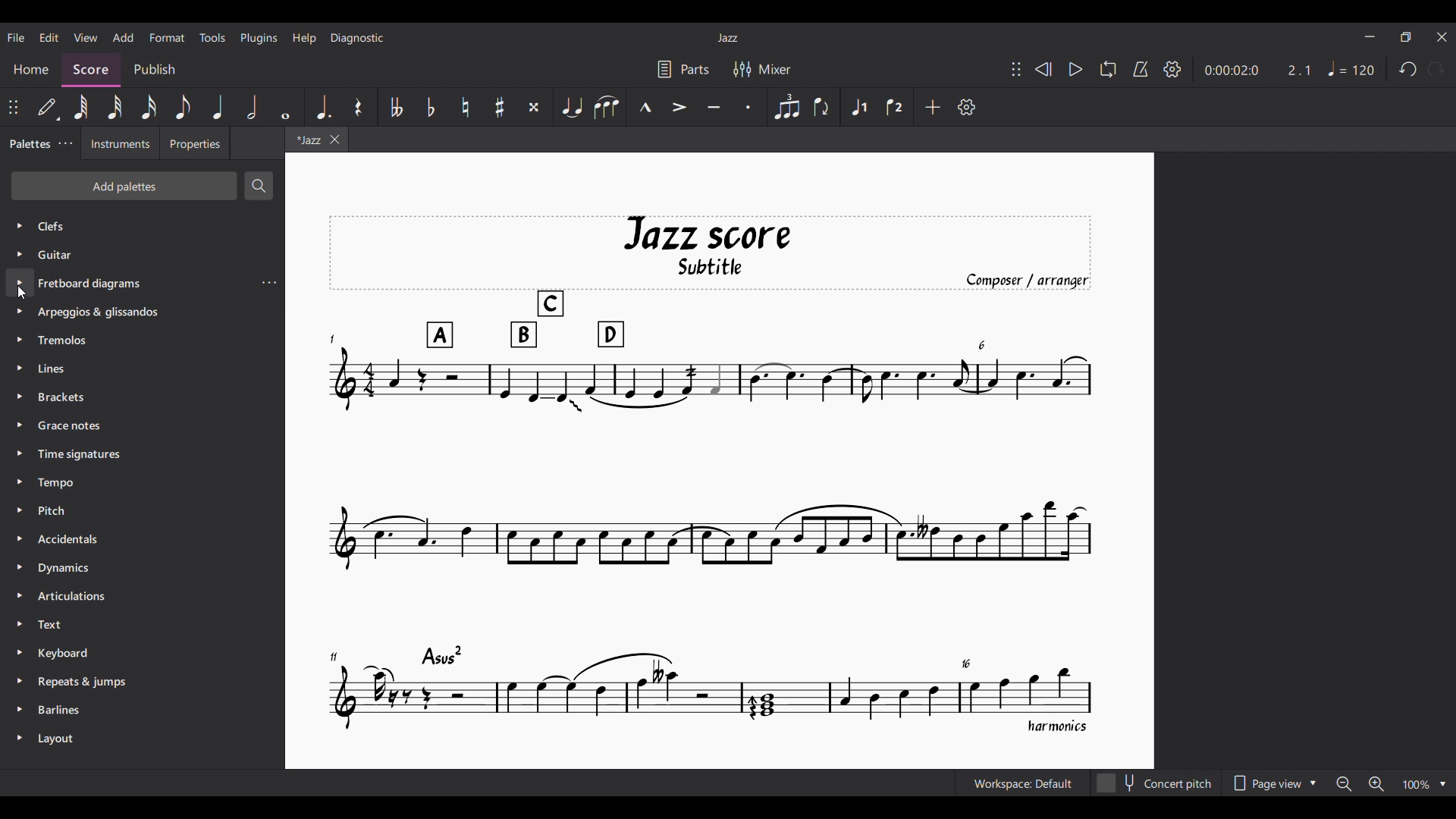 The height and width of the screenshot is (819, 1456). Describe the element at coordinates (15, 37) in the screenshot. I see `File menu` at that location.